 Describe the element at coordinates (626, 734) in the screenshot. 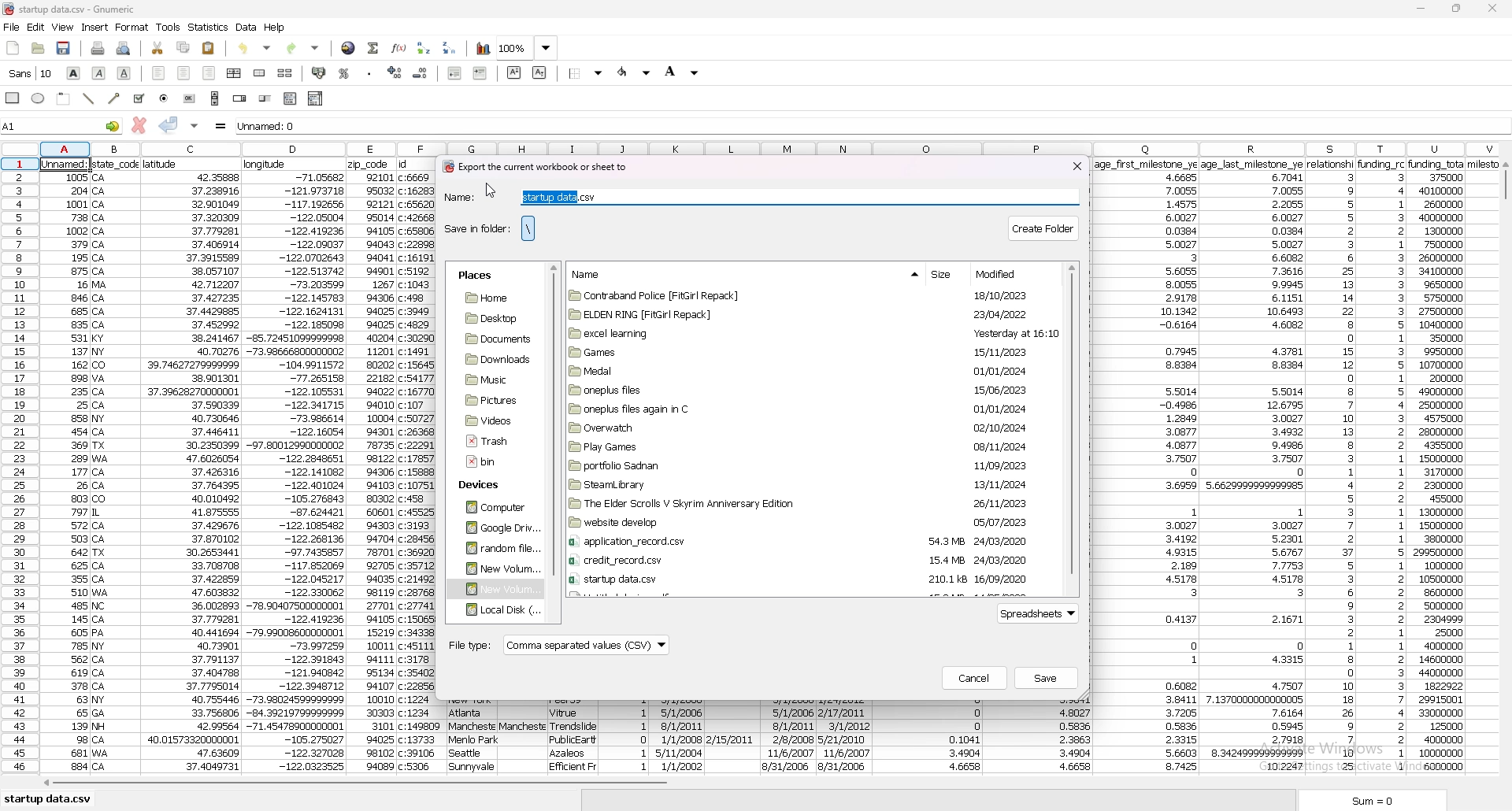

I see `data` at that location.